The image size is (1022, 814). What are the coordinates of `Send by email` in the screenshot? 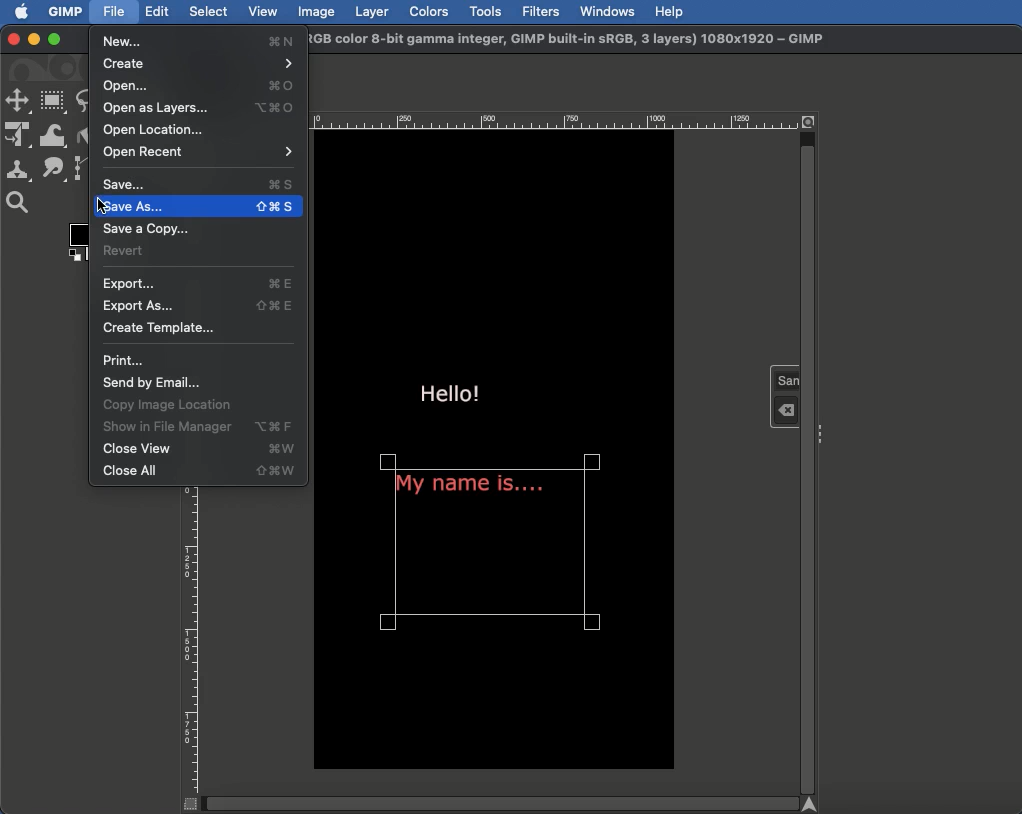 It's located at (152, 384).